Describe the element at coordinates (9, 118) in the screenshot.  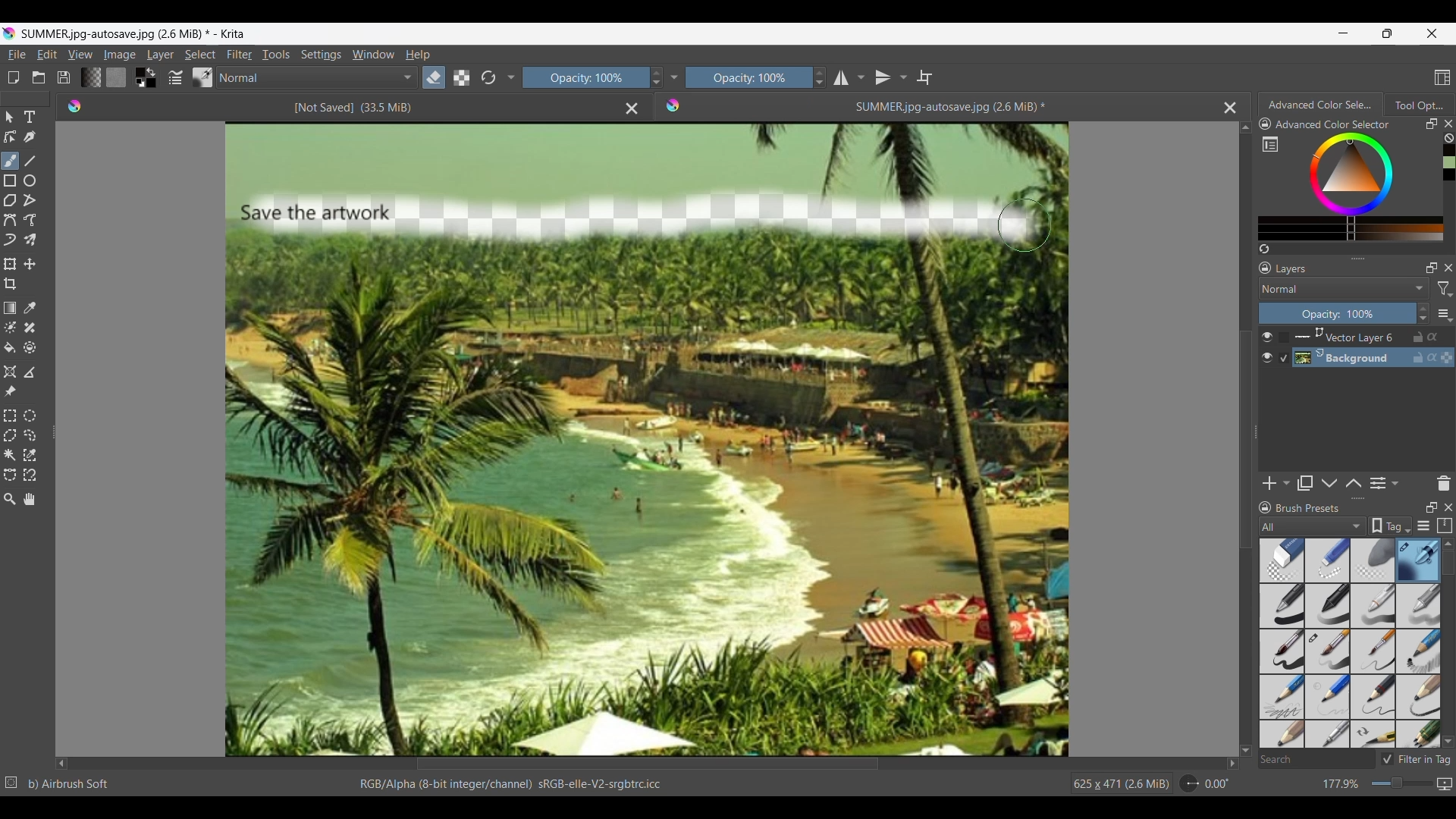
I see `Select shapes tool` at that location.